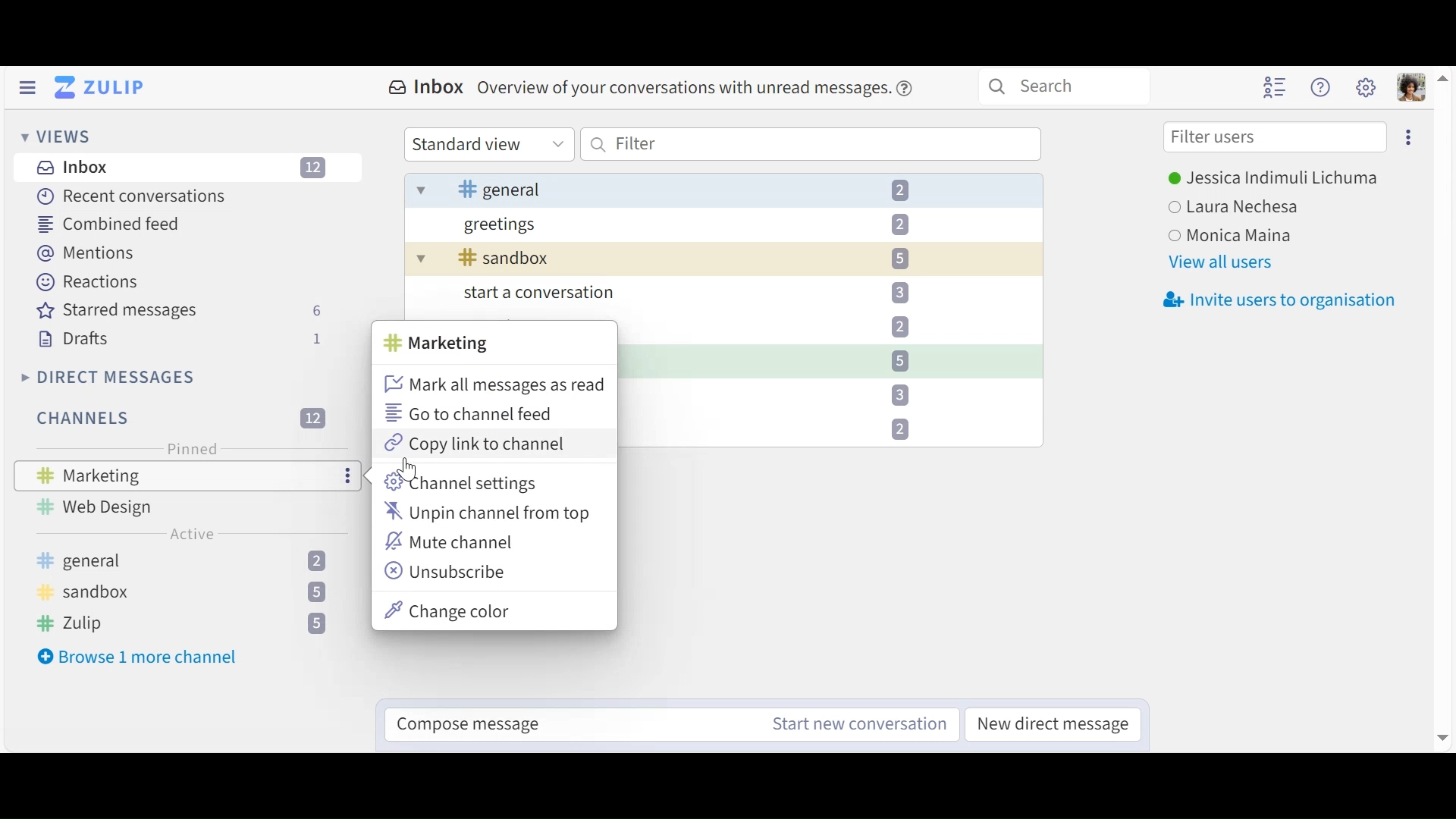 The width and height of the screenshot is (1456, 819). What do you see at coordinates (448, 610) in the screenshot?
I see `Change color` at bounding box center [448, 610].